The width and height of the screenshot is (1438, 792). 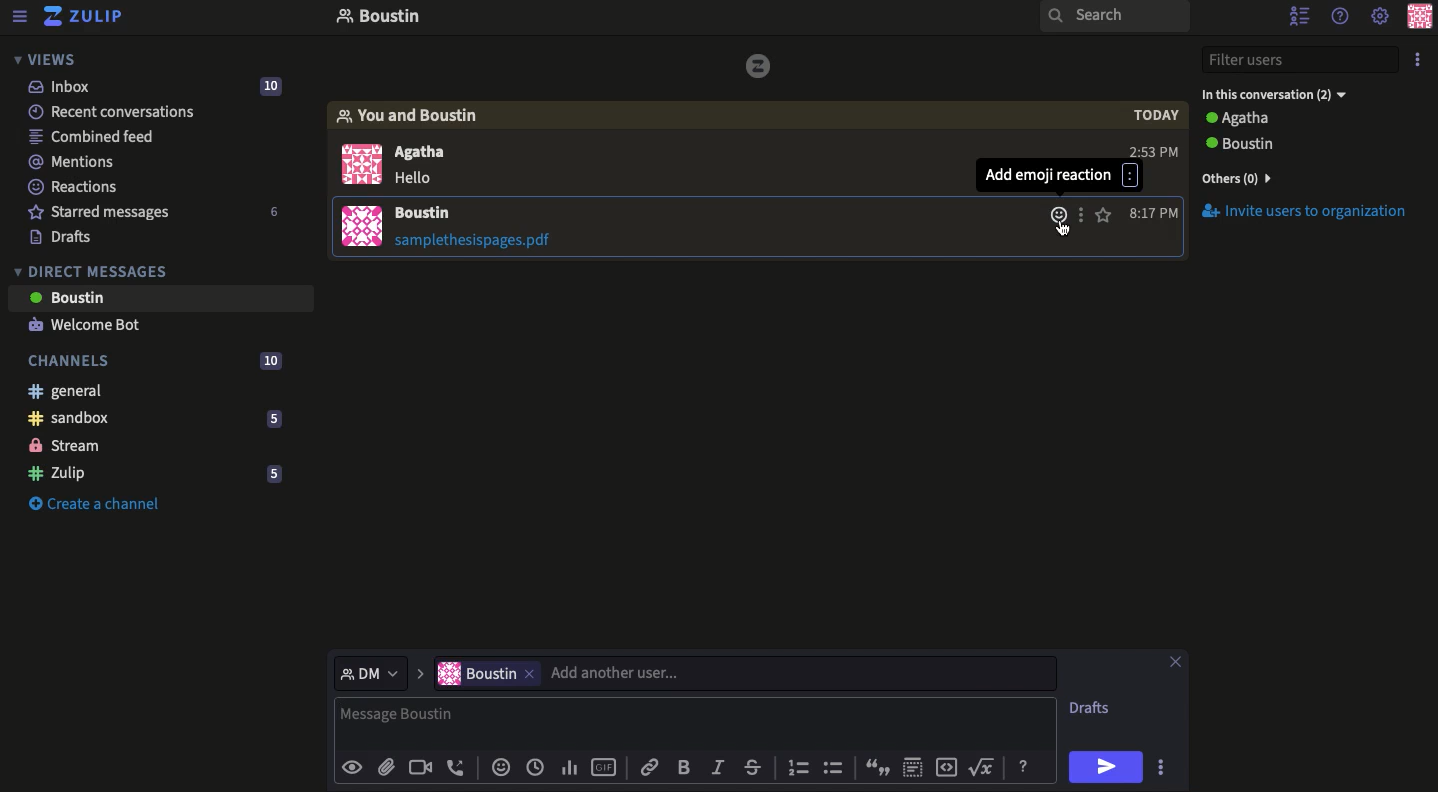 I want to click on display picture, so click(x=361, y=163).